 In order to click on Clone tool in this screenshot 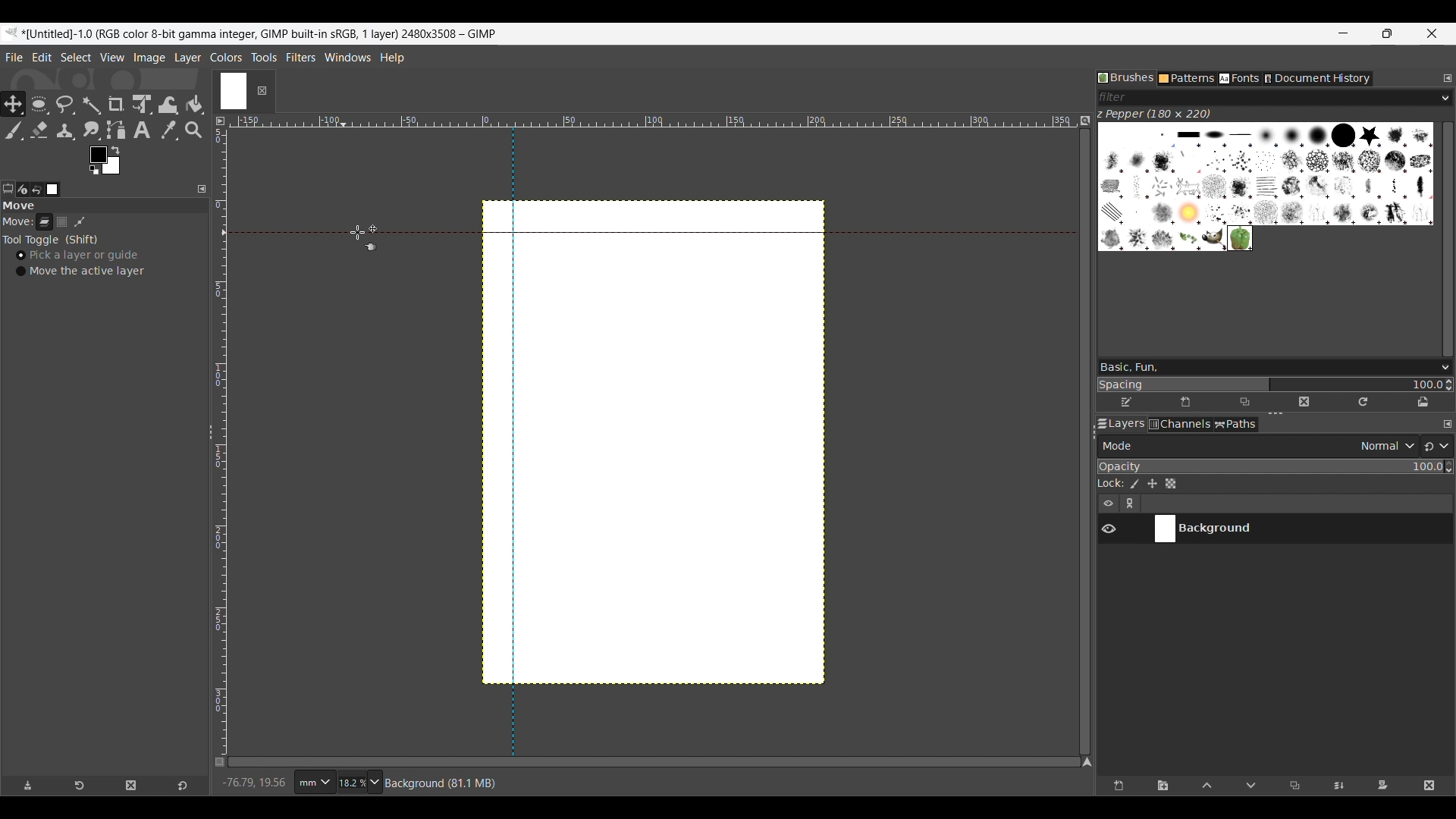, I will do `click(66, 131)`.